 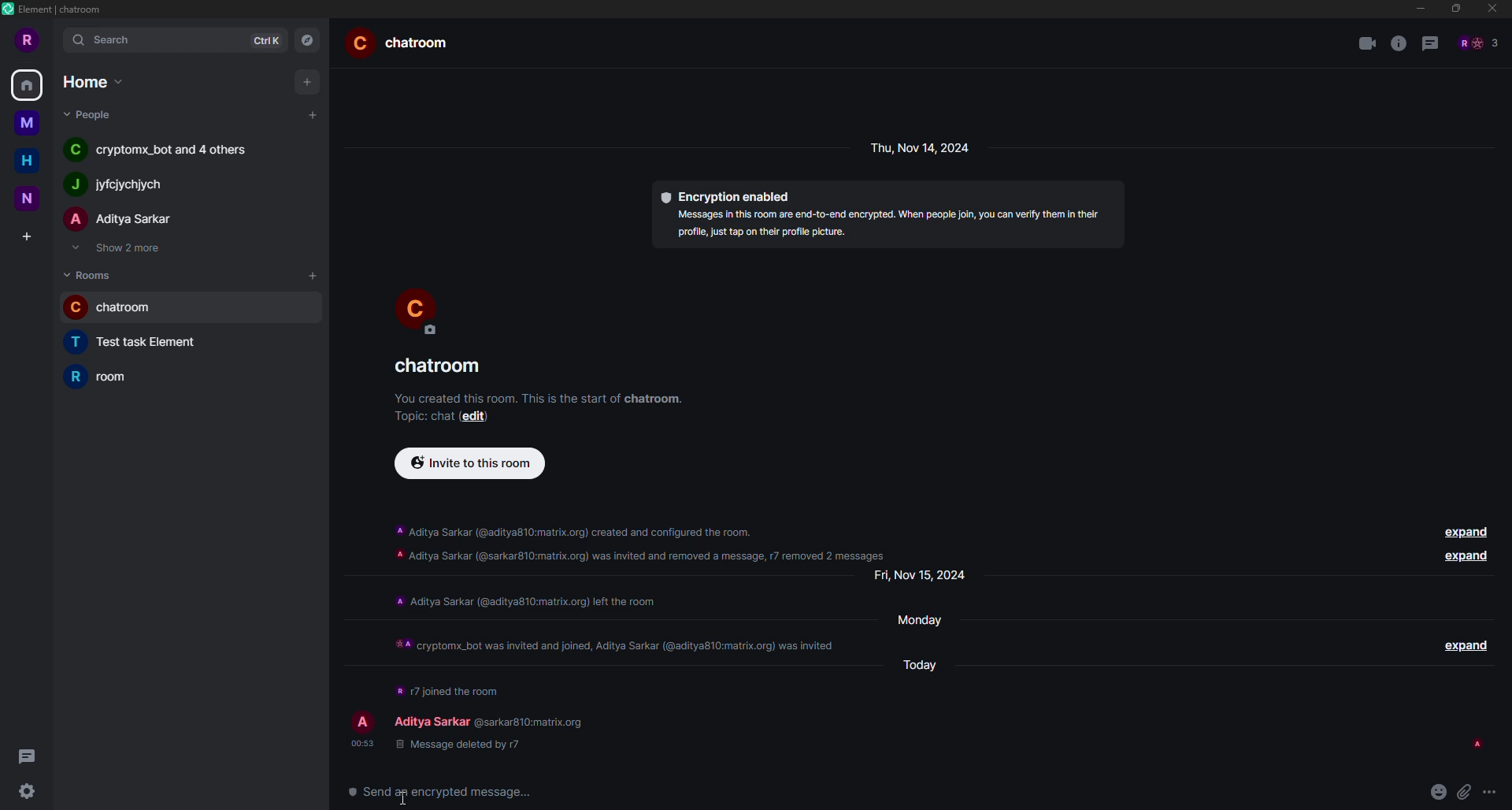 I want to click on info, so click(x=1398, y=43).